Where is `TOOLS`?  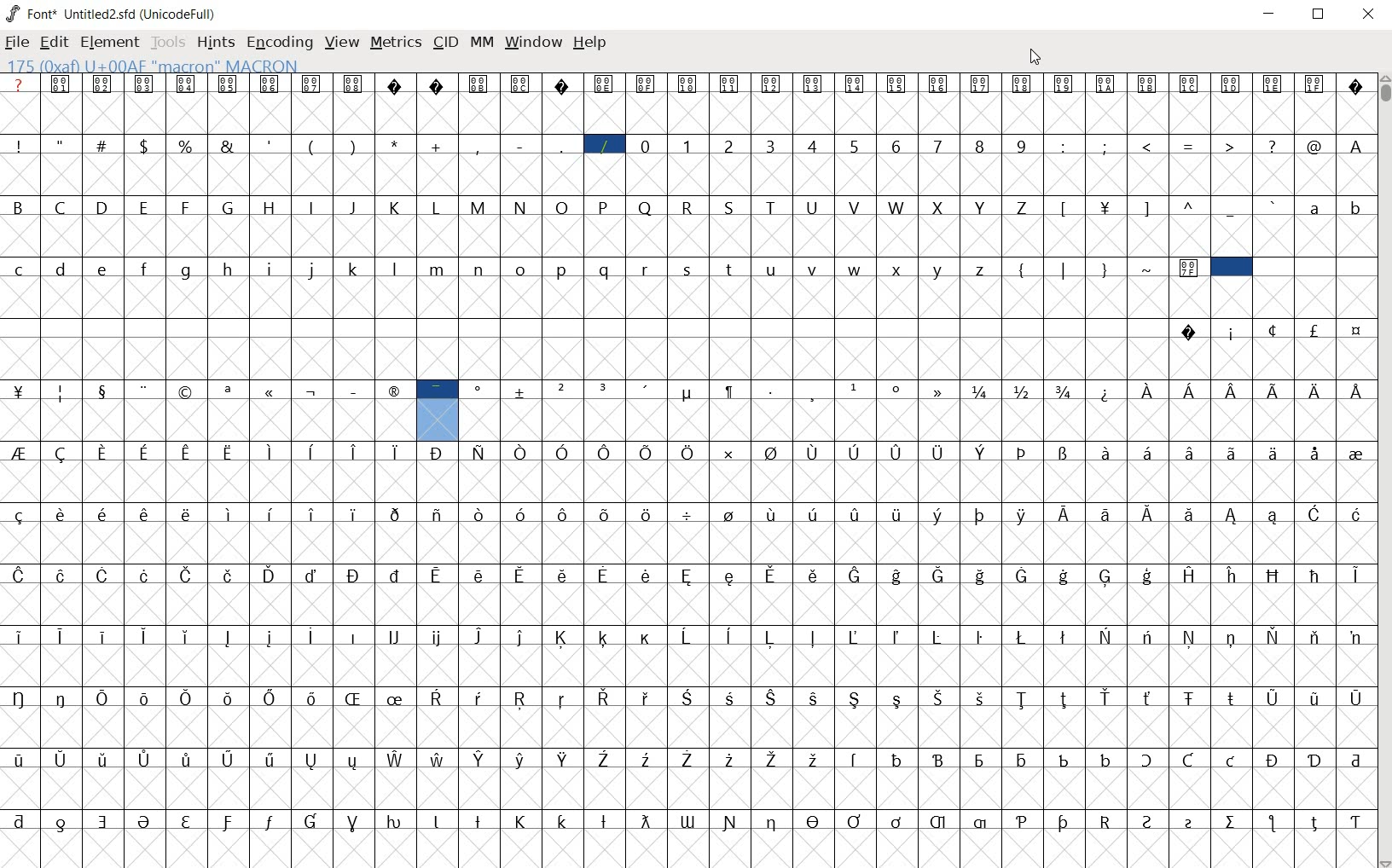 TOOLS is located at coordinates (167, 42).